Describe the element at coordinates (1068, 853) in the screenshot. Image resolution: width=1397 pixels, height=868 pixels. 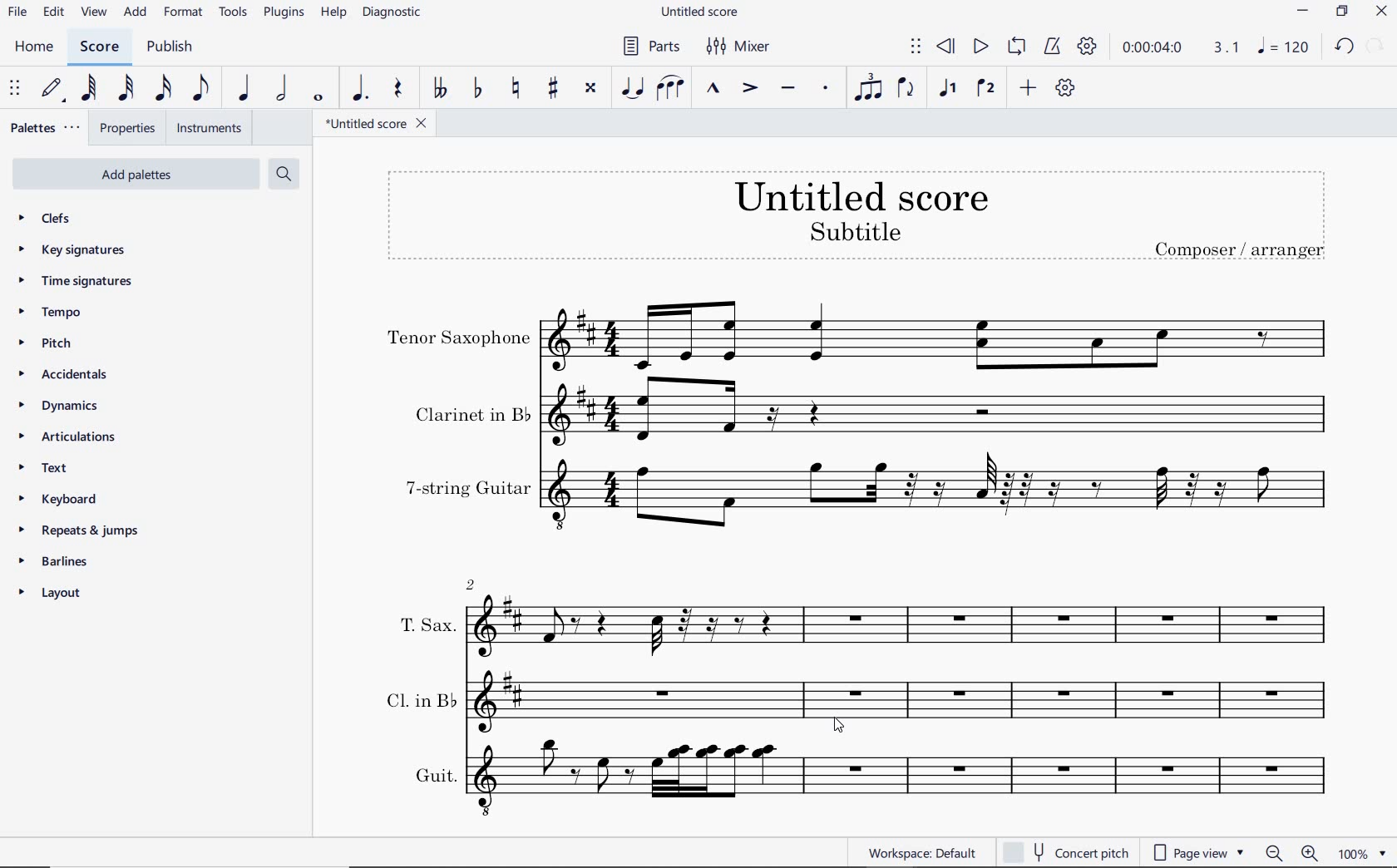
I see `concert pitch` at that location.